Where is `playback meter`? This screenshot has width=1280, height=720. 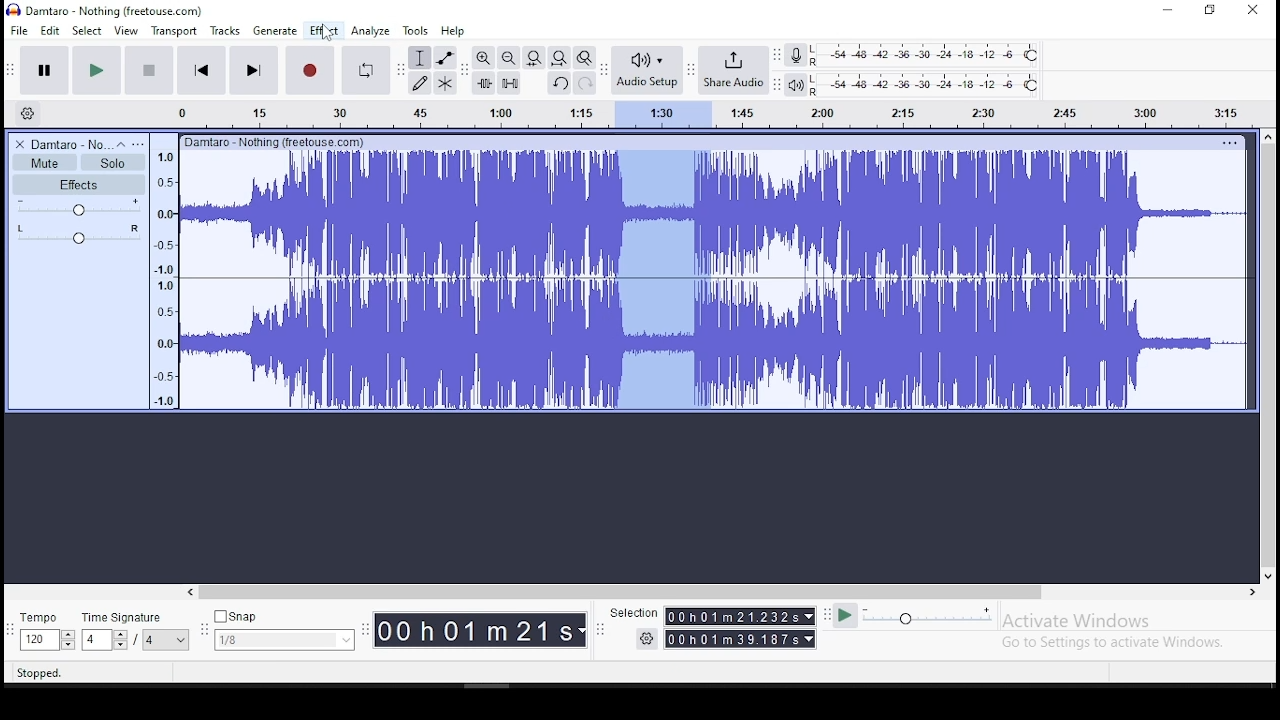 playback meter is located at coordinates (797, 85).